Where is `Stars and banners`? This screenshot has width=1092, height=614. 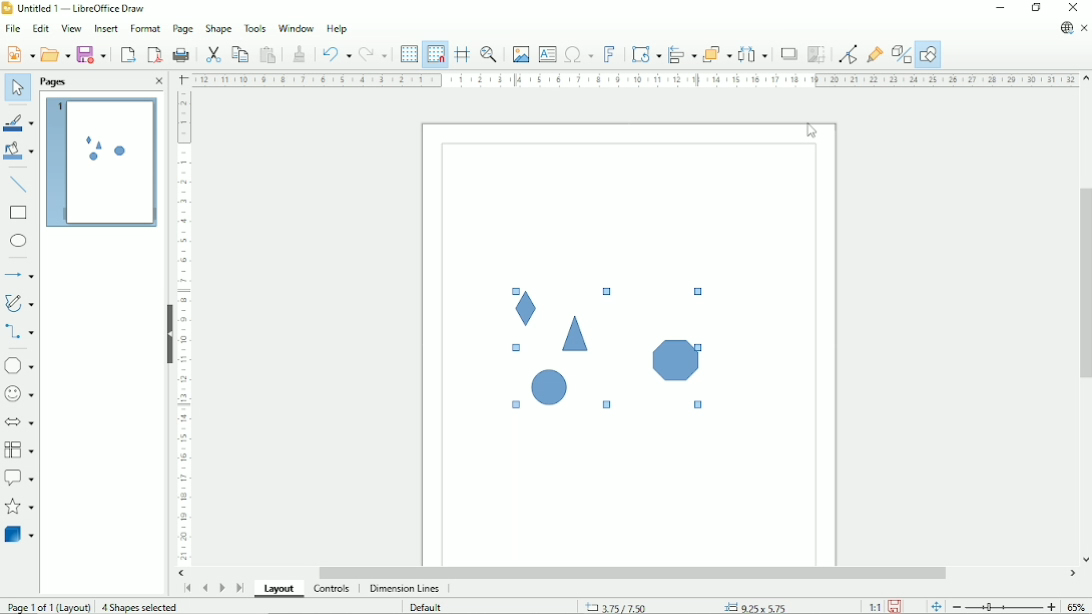
Stars and banners is located at coordinates (21, 508).